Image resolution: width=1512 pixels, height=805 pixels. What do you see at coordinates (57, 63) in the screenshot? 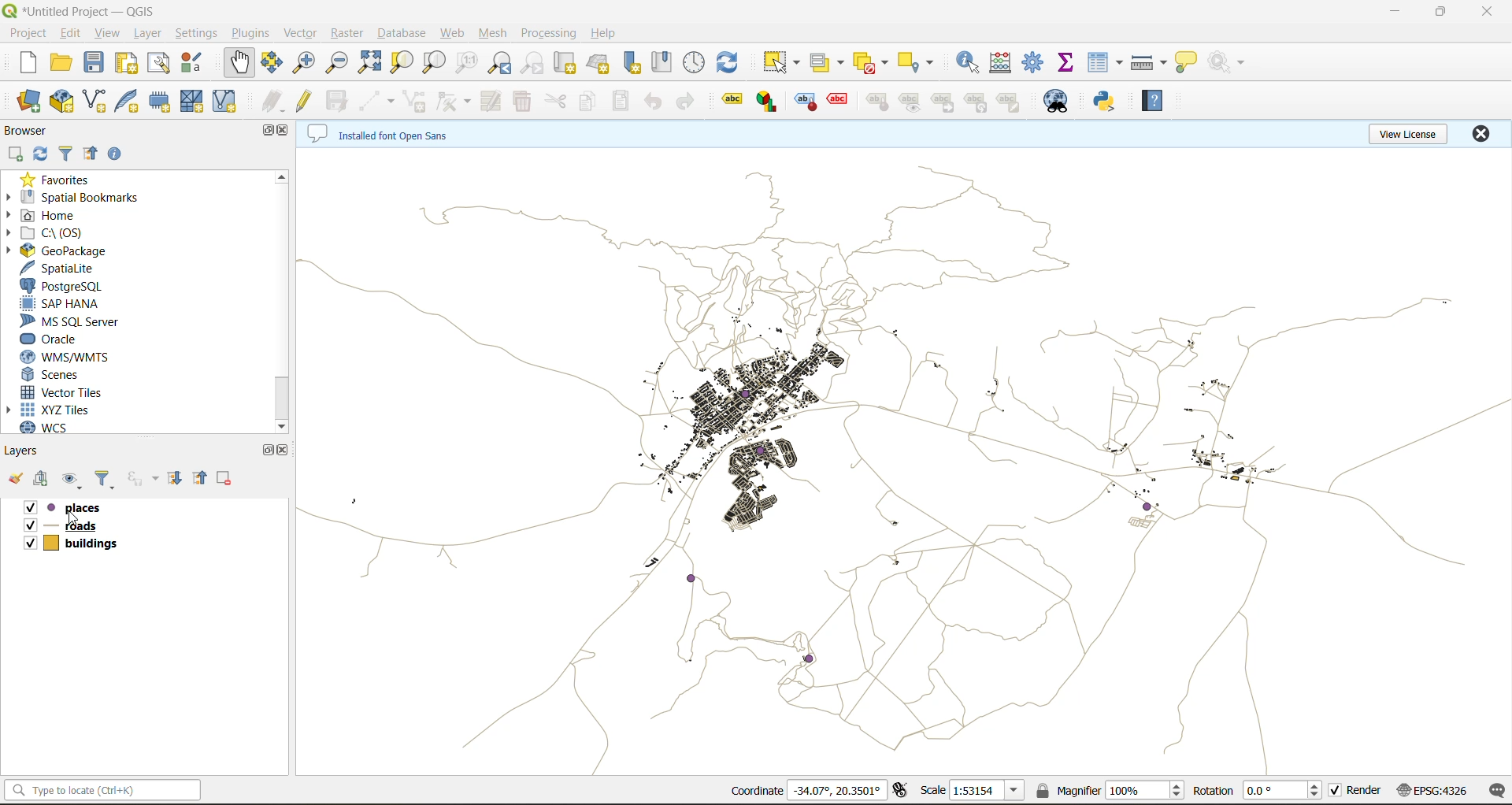
I see `open` at bounding box center [57, 63].